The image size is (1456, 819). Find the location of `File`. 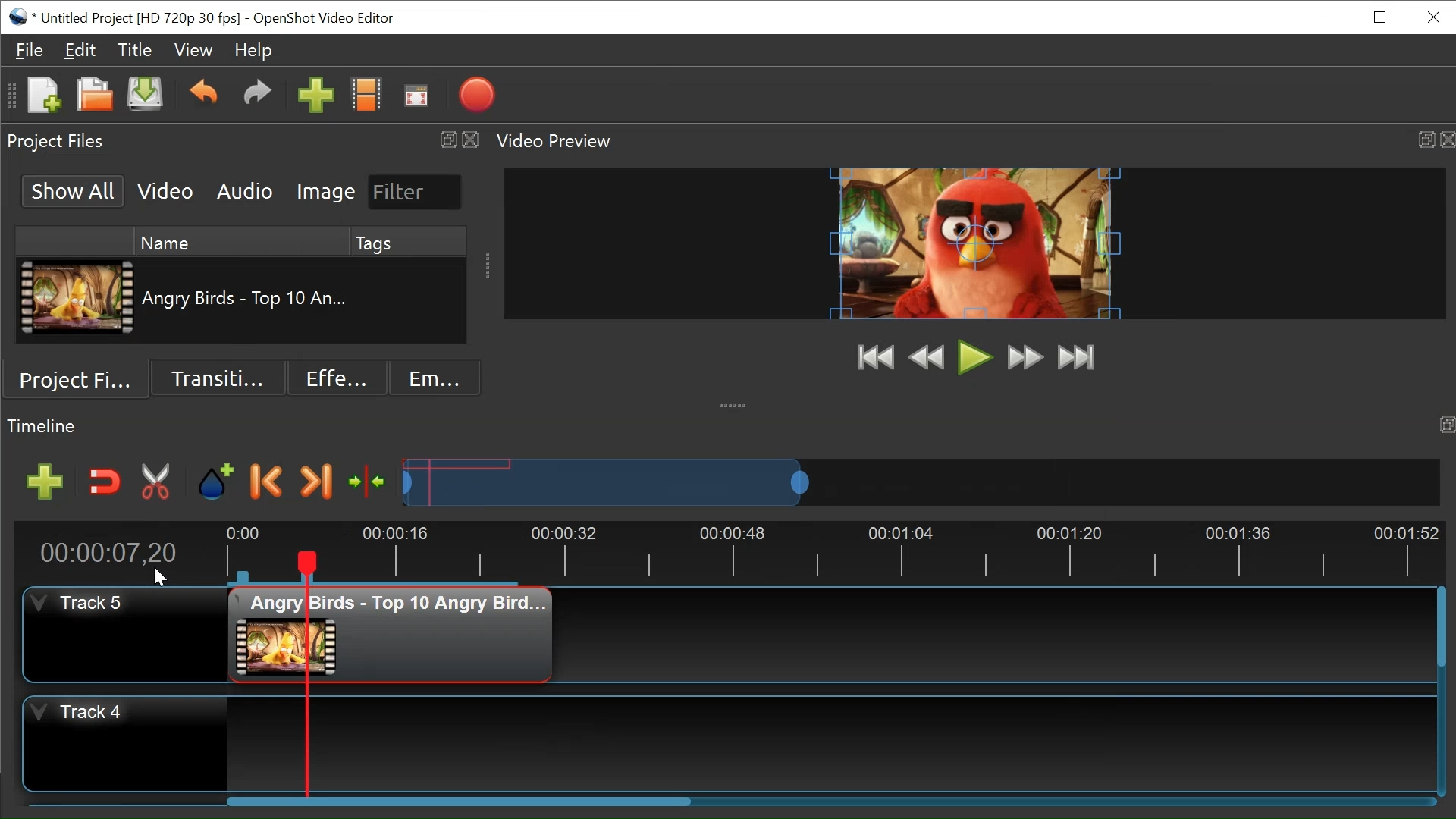

File is located at coordinates (30, 50).